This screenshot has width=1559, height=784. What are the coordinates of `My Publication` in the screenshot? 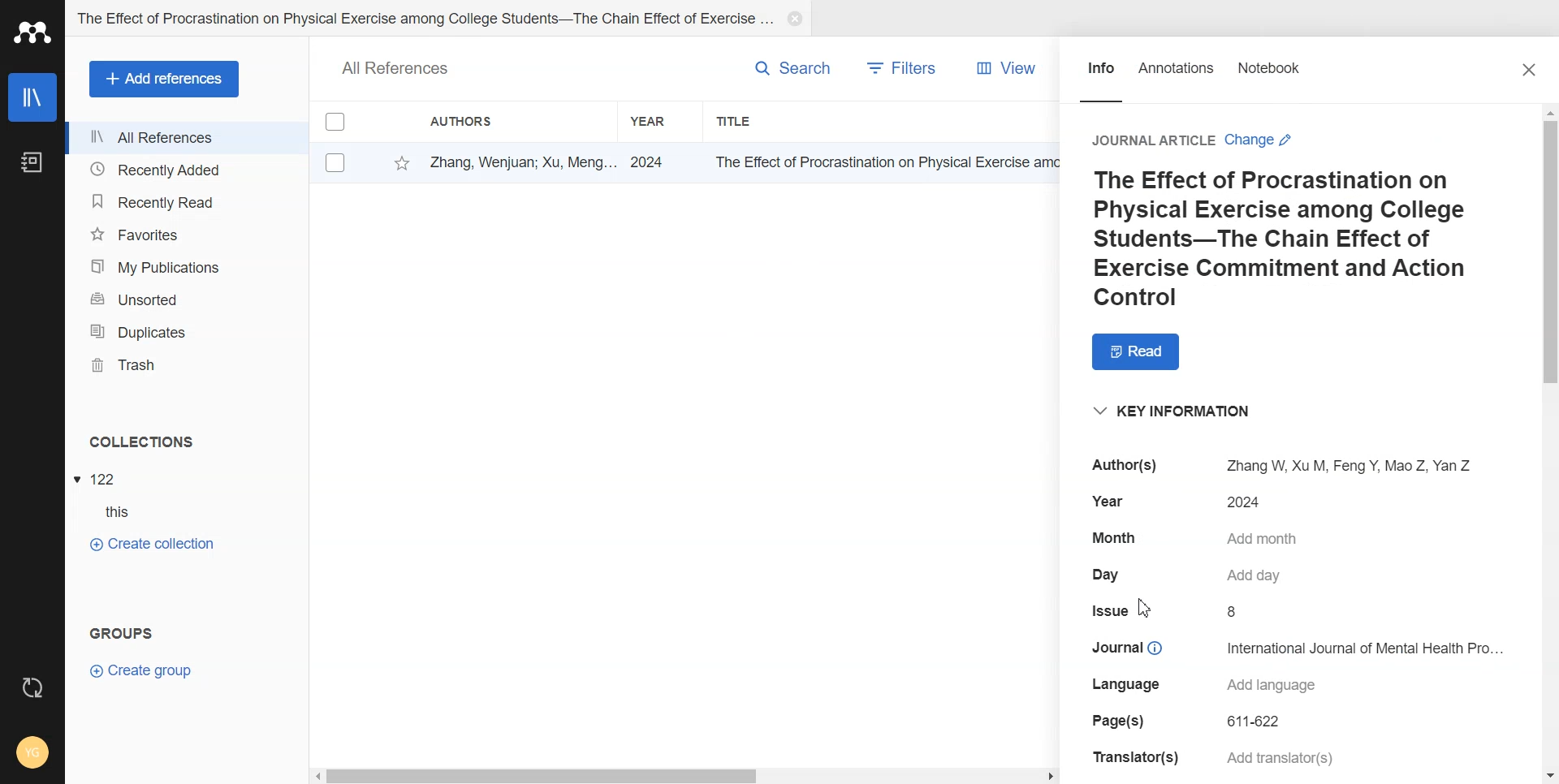 It's located at (188, 267).